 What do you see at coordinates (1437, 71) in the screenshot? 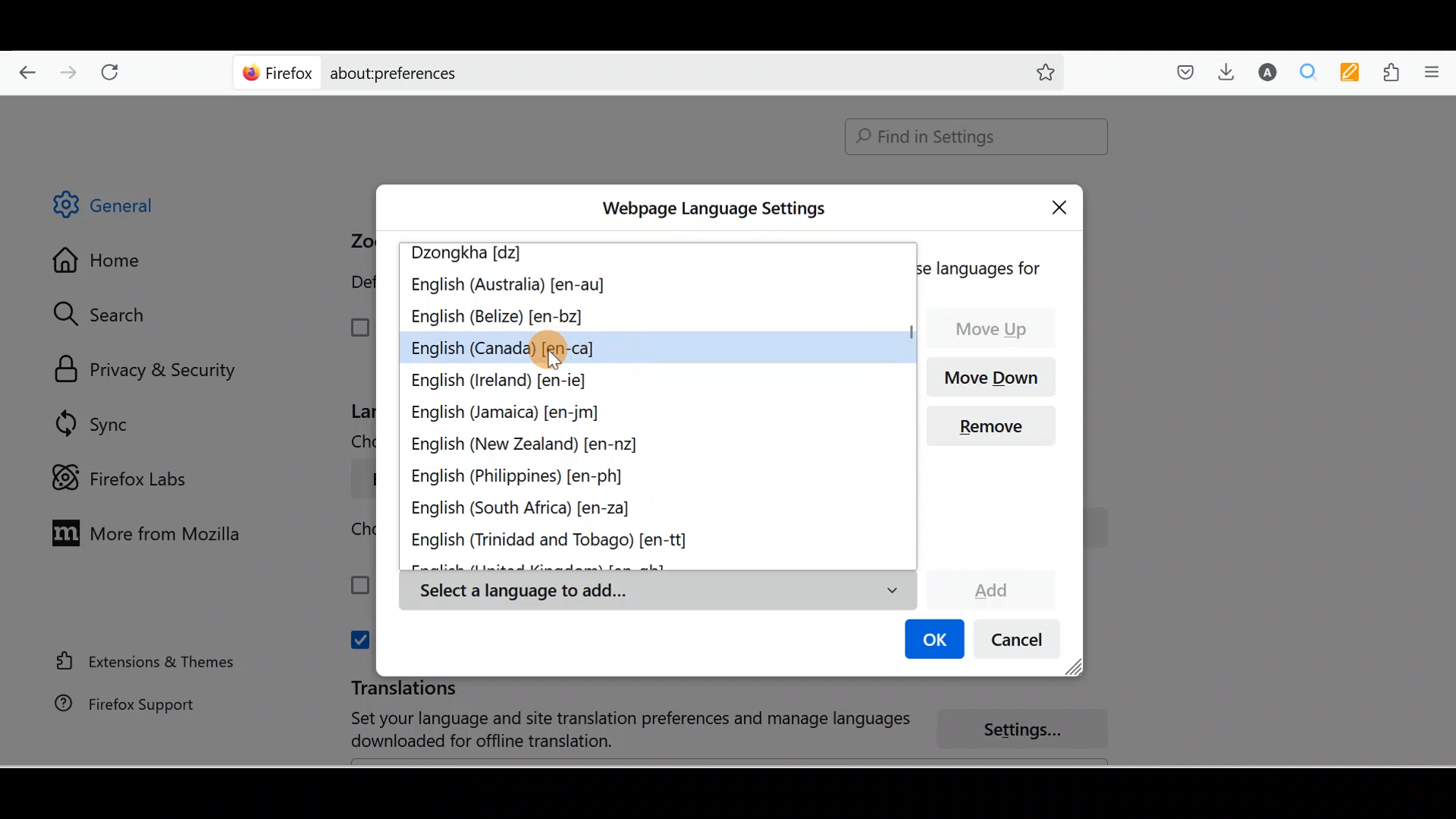
I see `Open application menu` at bounding box center [1437, 71].